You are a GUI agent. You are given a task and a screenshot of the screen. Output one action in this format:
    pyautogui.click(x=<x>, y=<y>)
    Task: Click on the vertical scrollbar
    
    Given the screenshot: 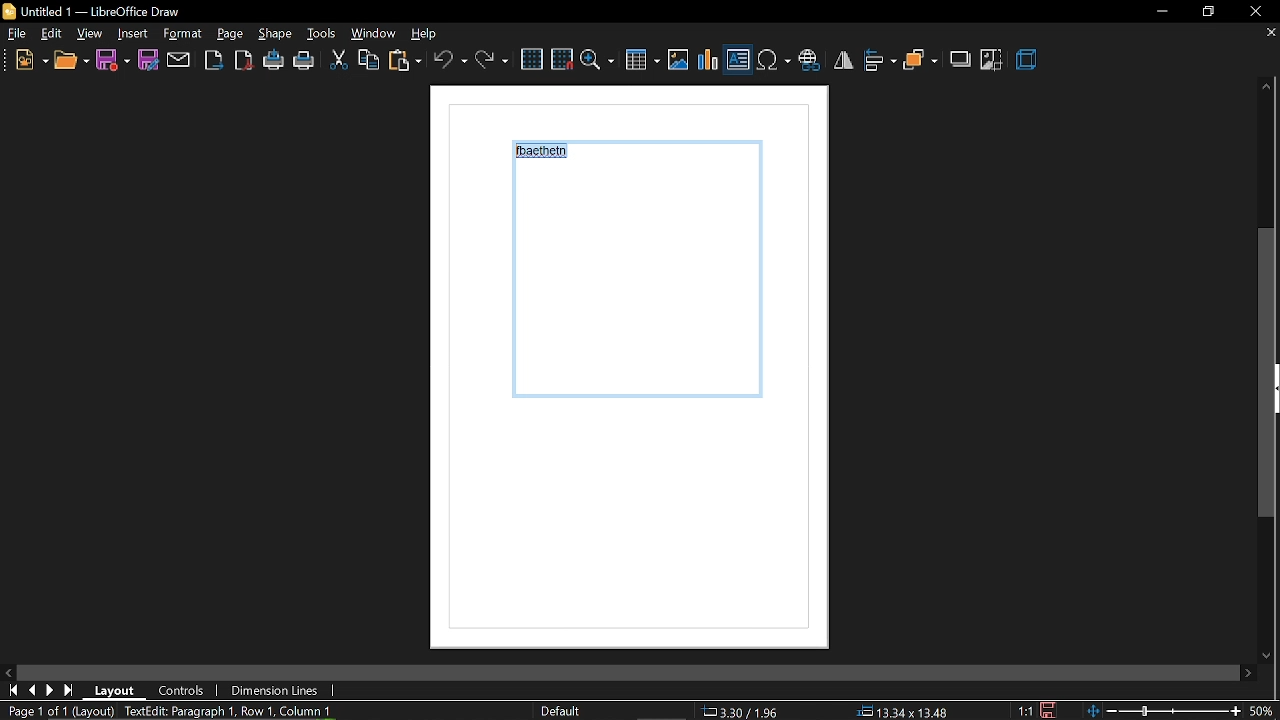 What is the action you would take?
    pyautogui.click(x=1267, y=375)
    